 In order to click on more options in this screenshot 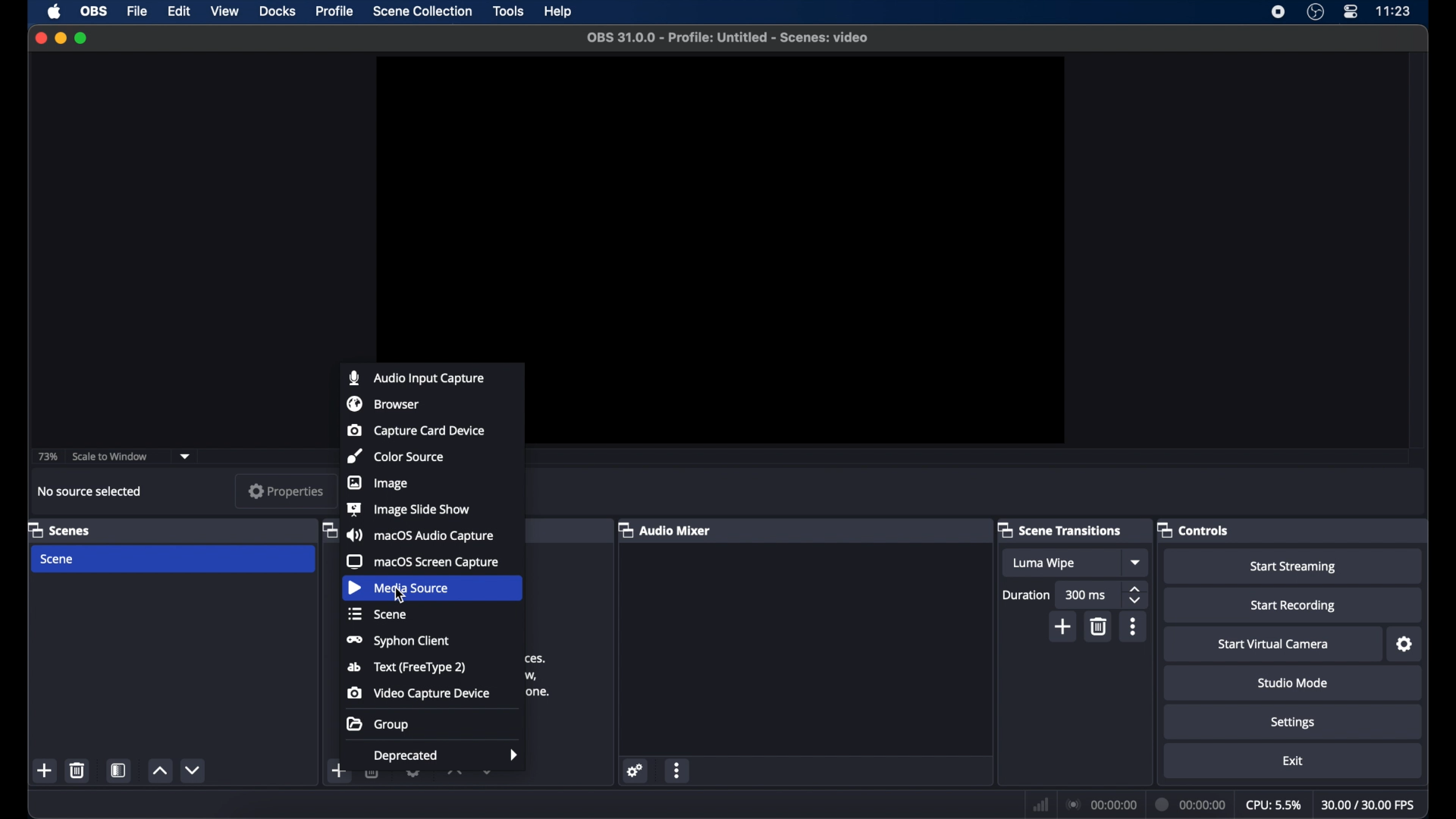, I will do `click(679, 770)`.